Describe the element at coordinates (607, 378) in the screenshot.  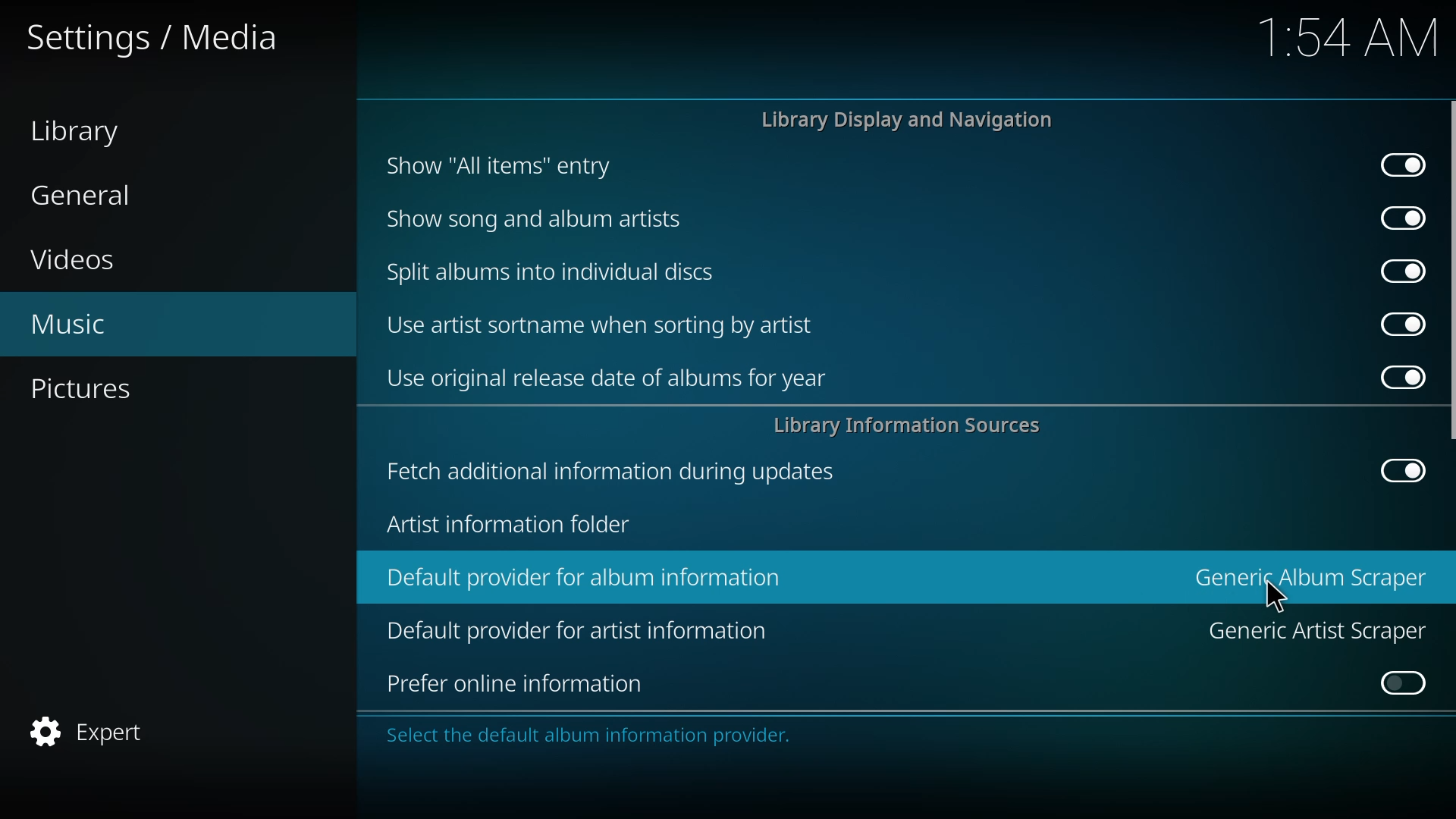
I see `use original release date of albums` at that location.